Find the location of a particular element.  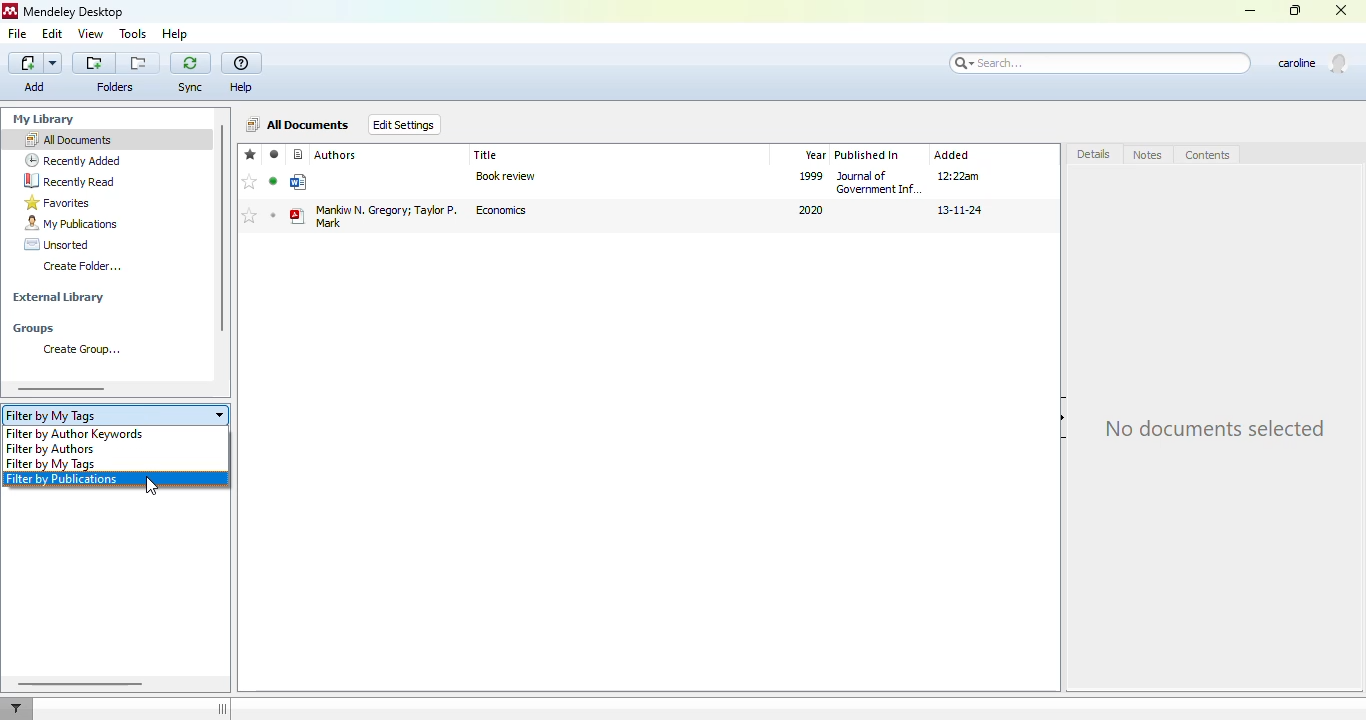

mark as unread is located at coordinates (273, 215).